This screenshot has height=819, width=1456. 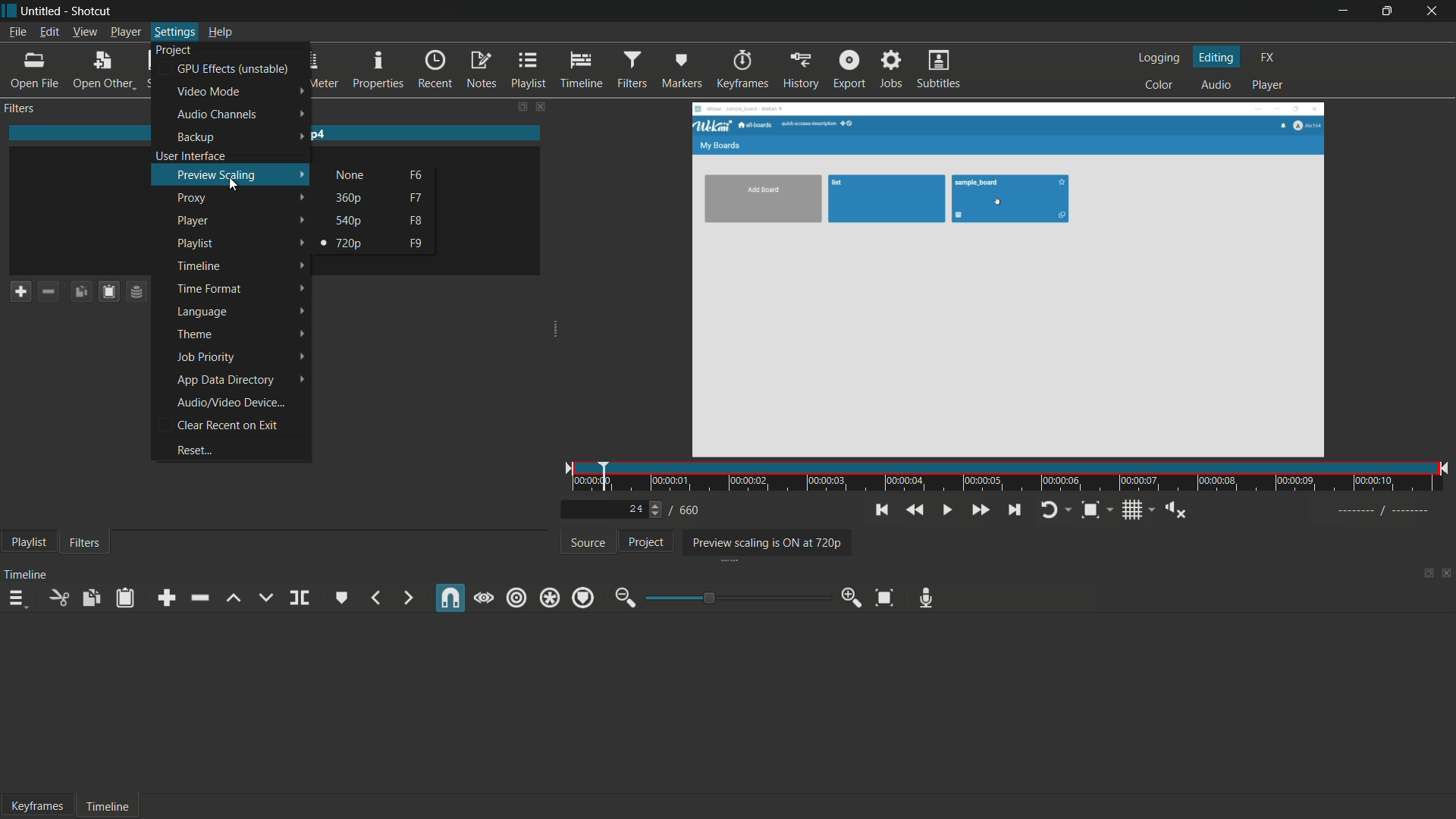 I want to click on split at playhead, so click(x=302, y=598).